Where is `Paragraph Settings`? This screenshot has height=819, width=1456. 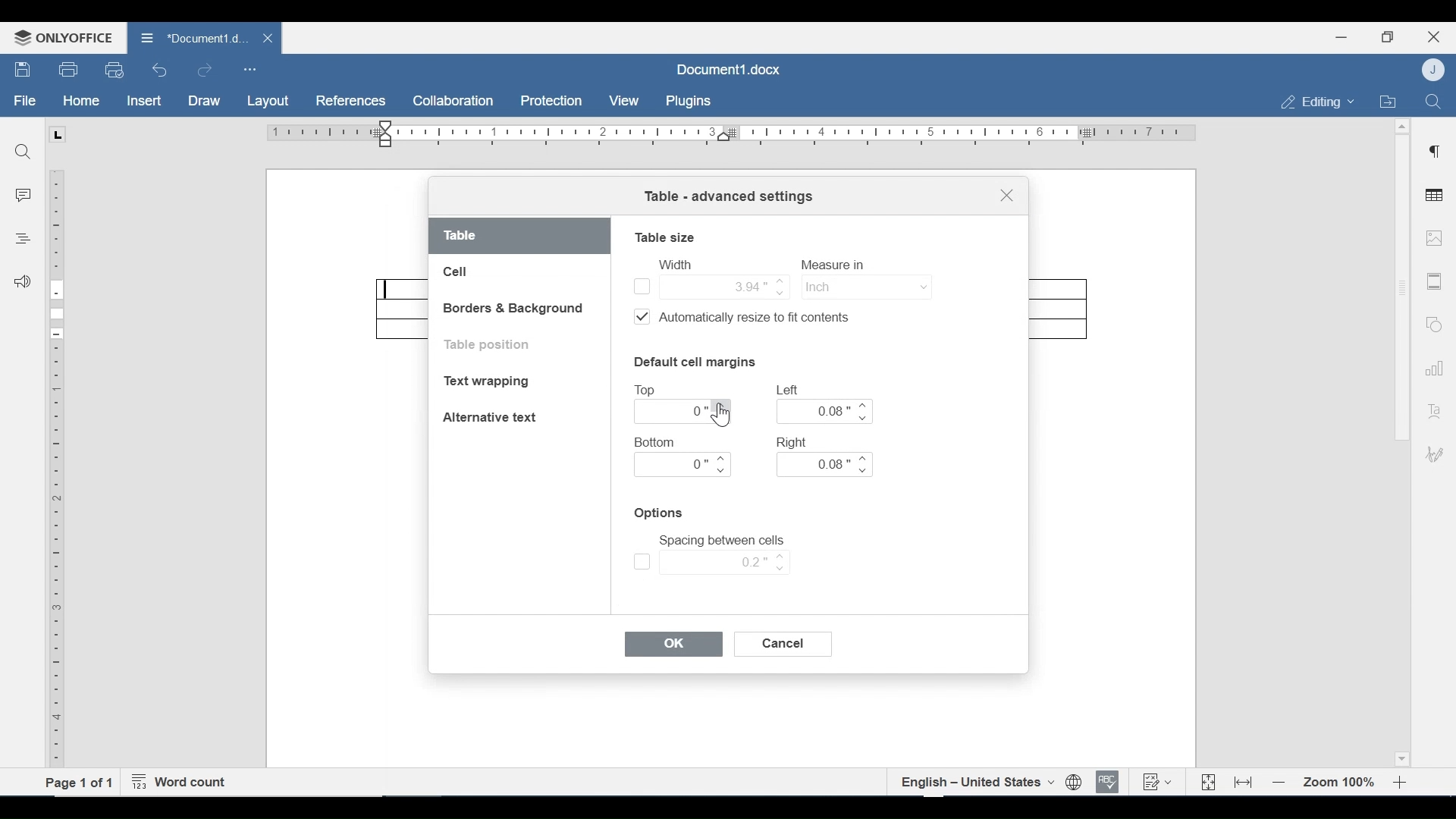 Paragraph Settings is located at coordinates (1435, 149).